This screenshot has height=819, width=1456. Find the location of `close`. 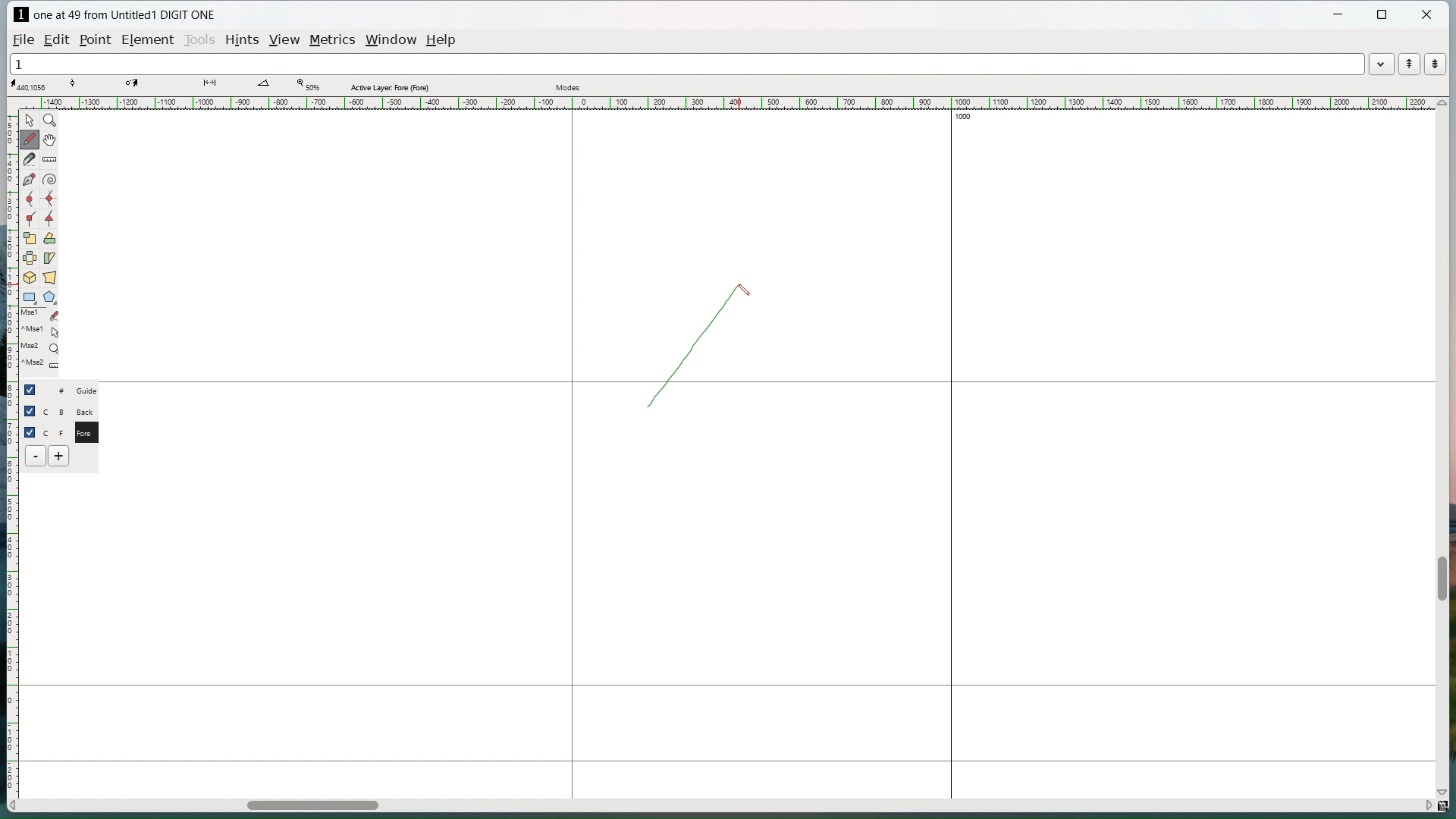

close is located at coordinates (1426, 14).